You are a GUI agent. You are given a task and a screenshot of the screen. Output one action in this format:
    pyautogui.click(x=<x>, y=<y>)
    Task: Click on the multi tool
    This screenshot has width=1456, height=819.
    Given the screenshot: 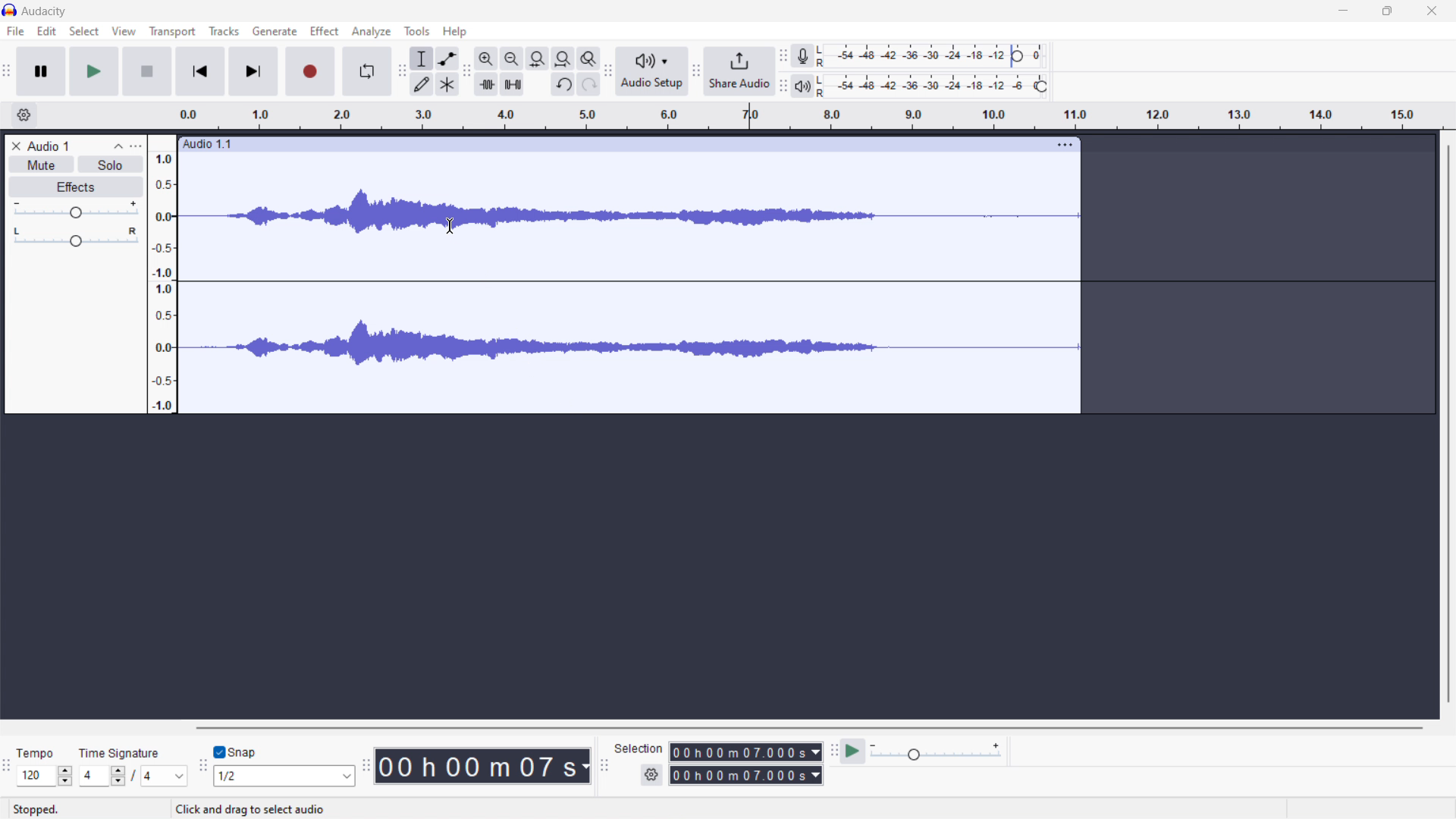 What is the action you would take?
    pyautogui.click(x=447, y=83)
    